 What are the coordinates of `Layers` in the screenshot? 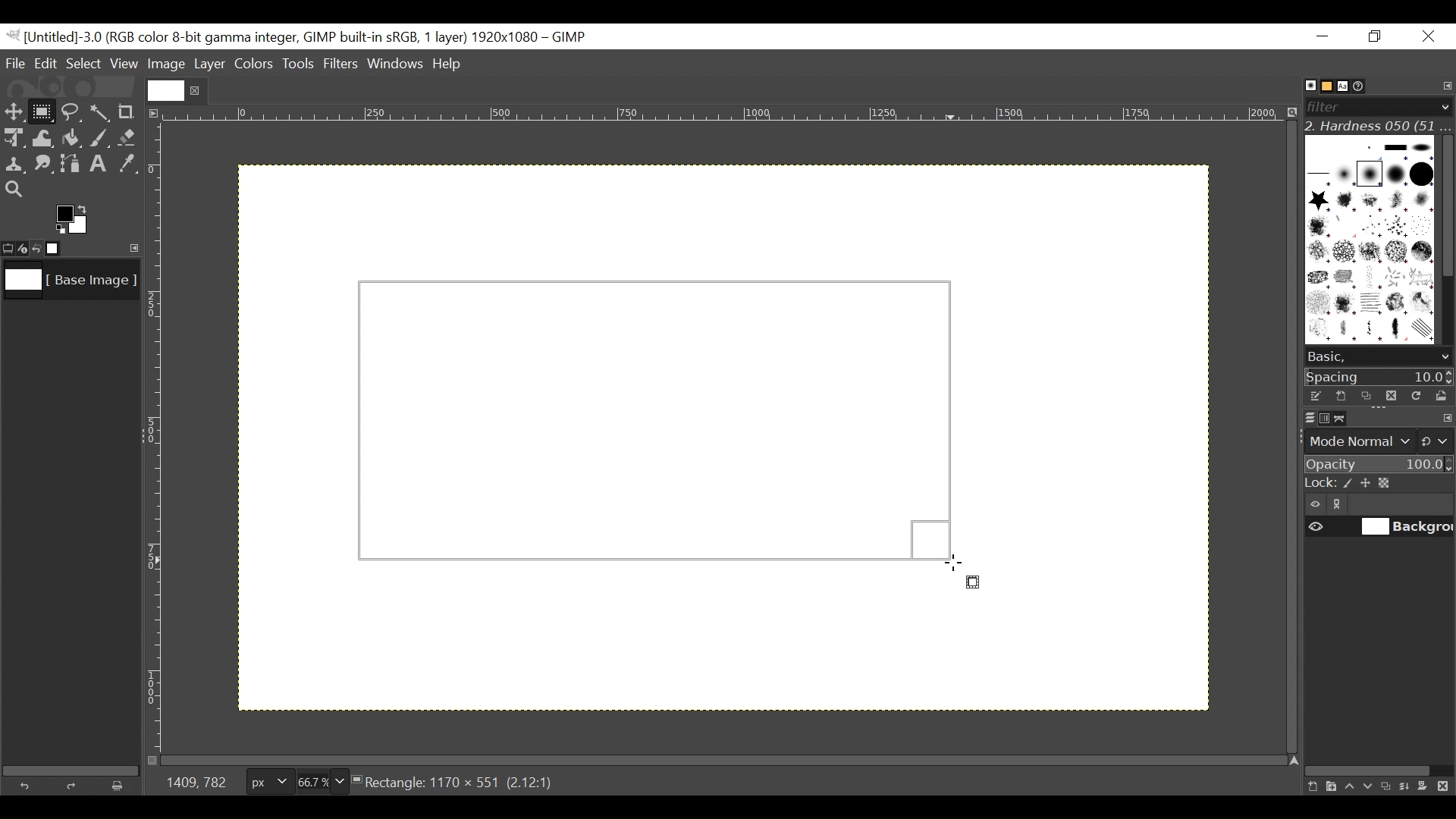 It's located at (1301, 417).